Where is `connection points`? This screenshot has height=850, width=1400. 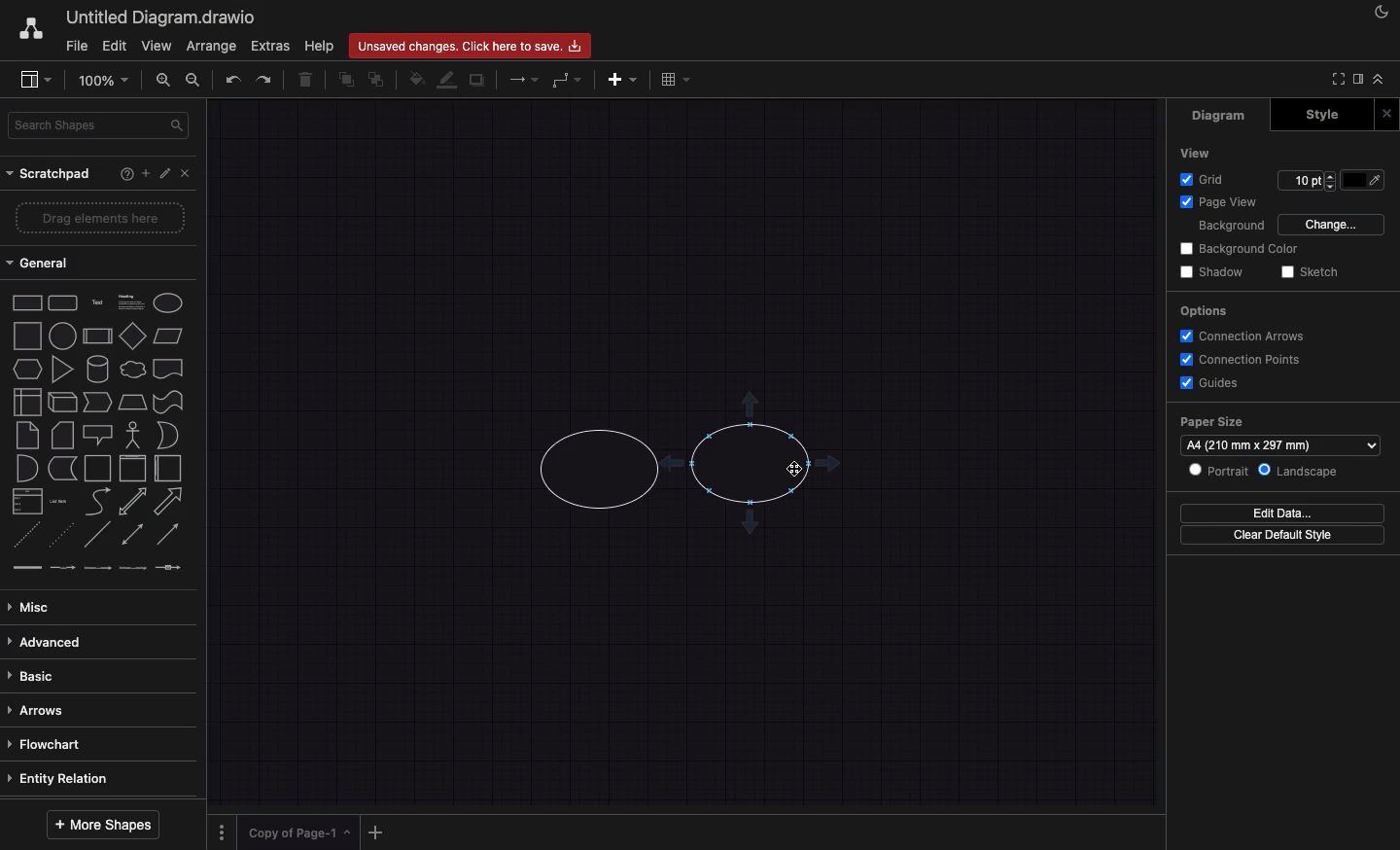 connection points is located at coordinates (1242, 360).